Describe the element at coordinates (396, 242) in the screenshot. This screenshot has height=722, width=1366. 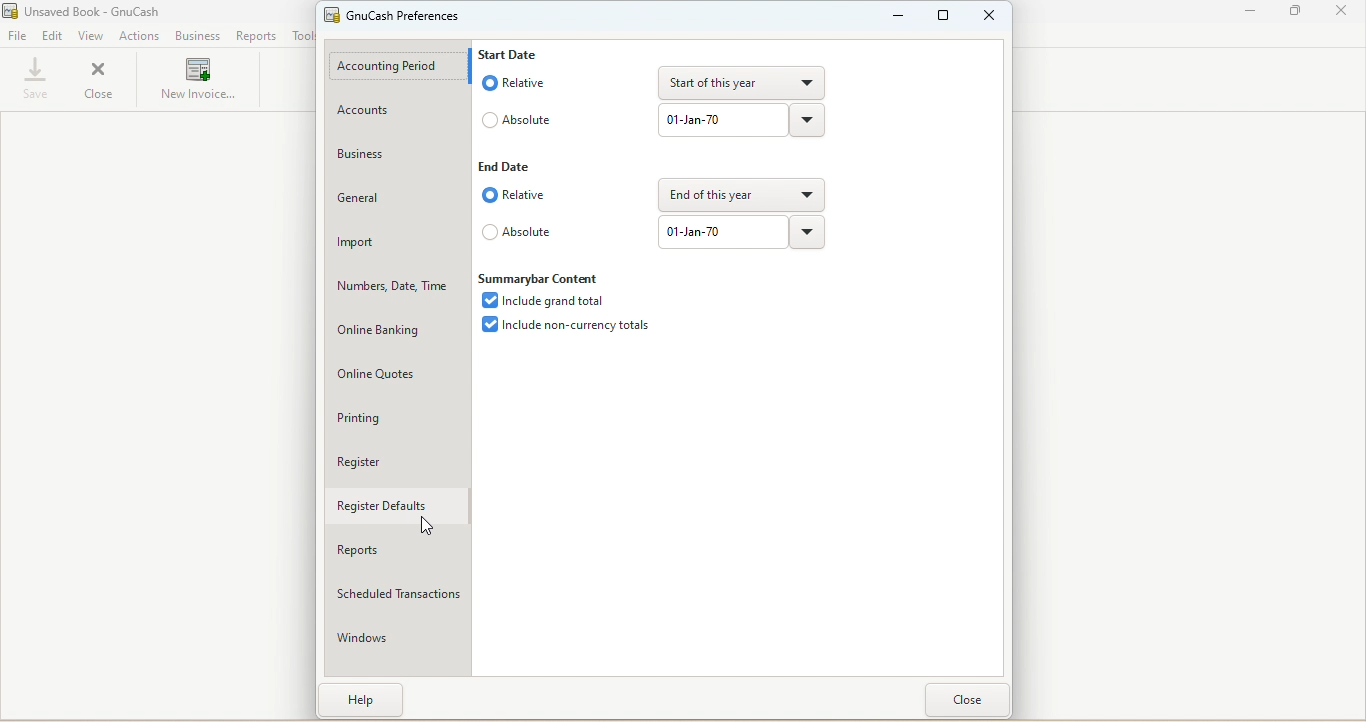
I see `Import` at that location.